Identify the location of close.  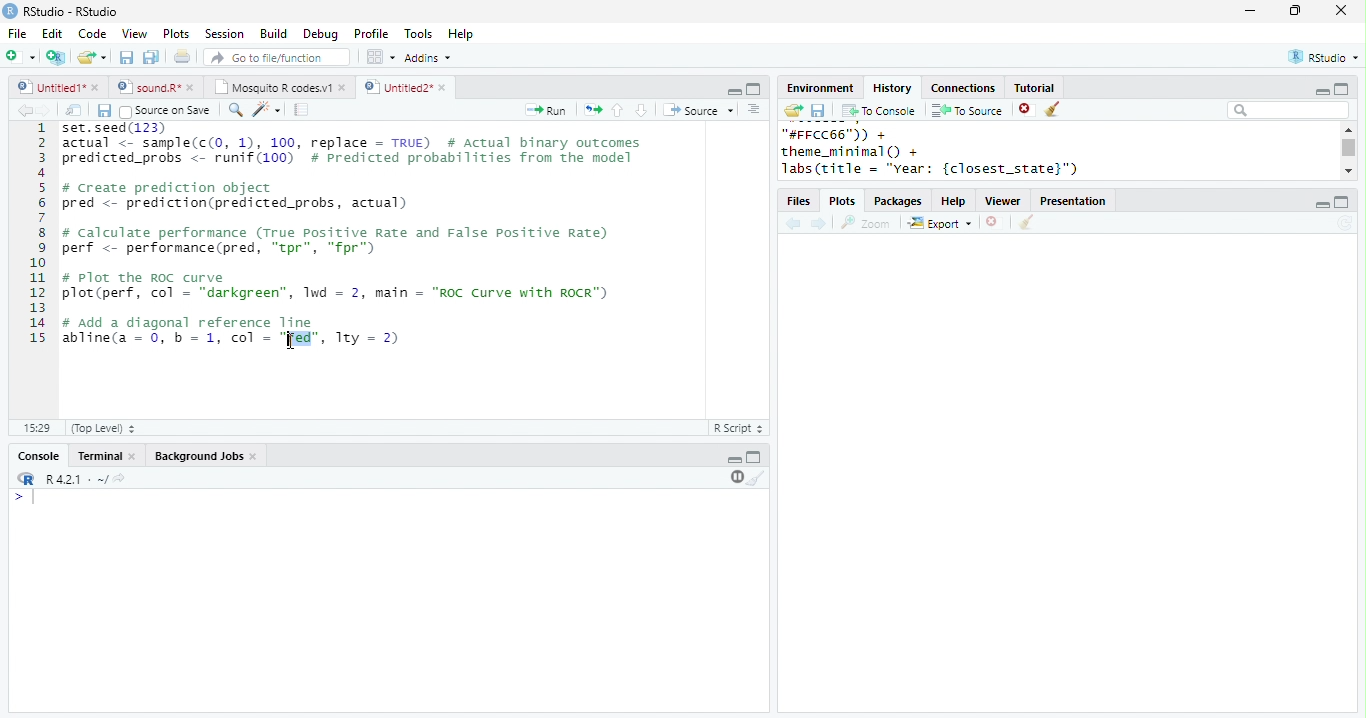
(194, 87).